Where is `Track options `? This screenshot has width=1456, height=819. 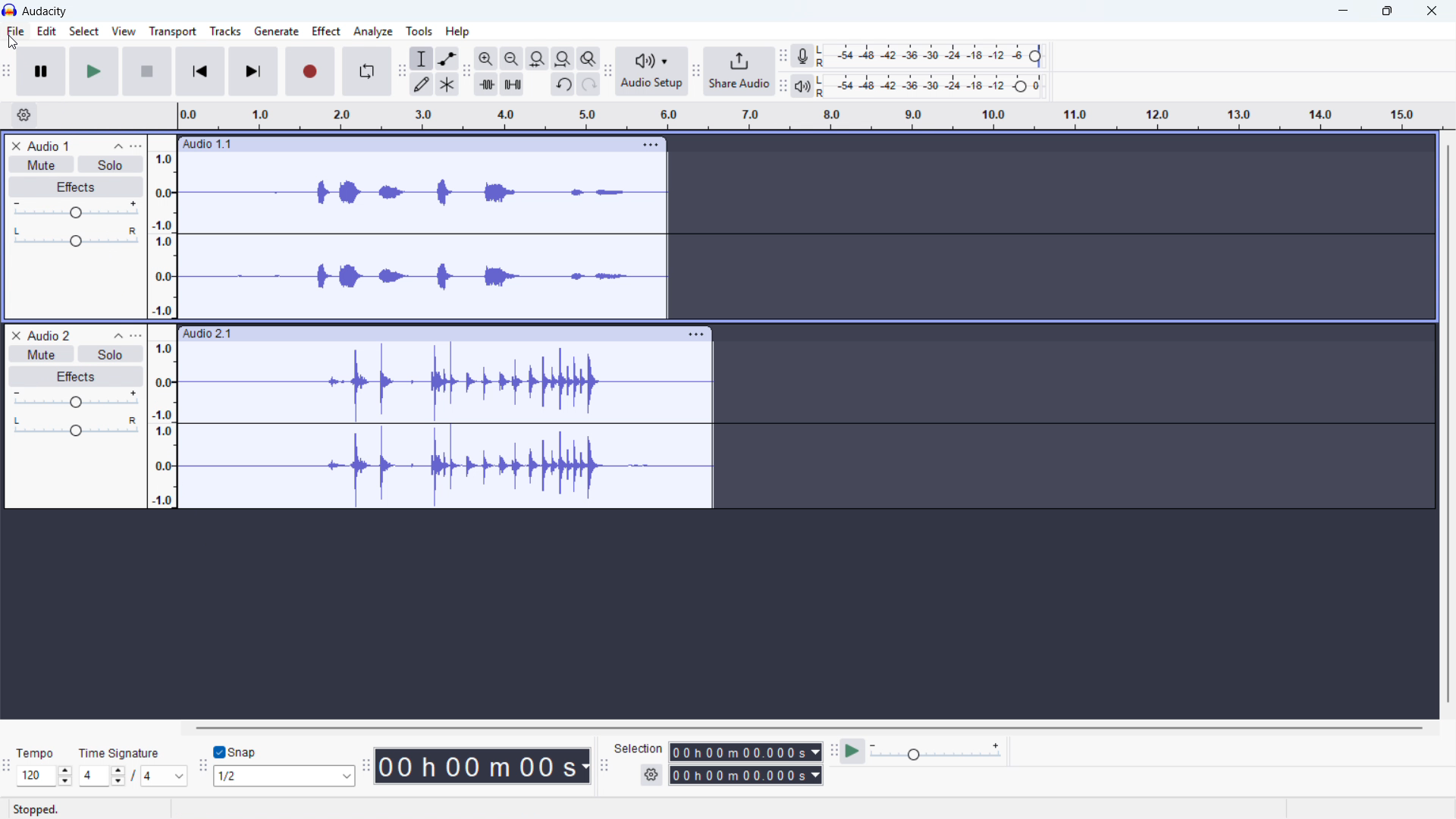 Track options  is located at coordinates (695, 334).